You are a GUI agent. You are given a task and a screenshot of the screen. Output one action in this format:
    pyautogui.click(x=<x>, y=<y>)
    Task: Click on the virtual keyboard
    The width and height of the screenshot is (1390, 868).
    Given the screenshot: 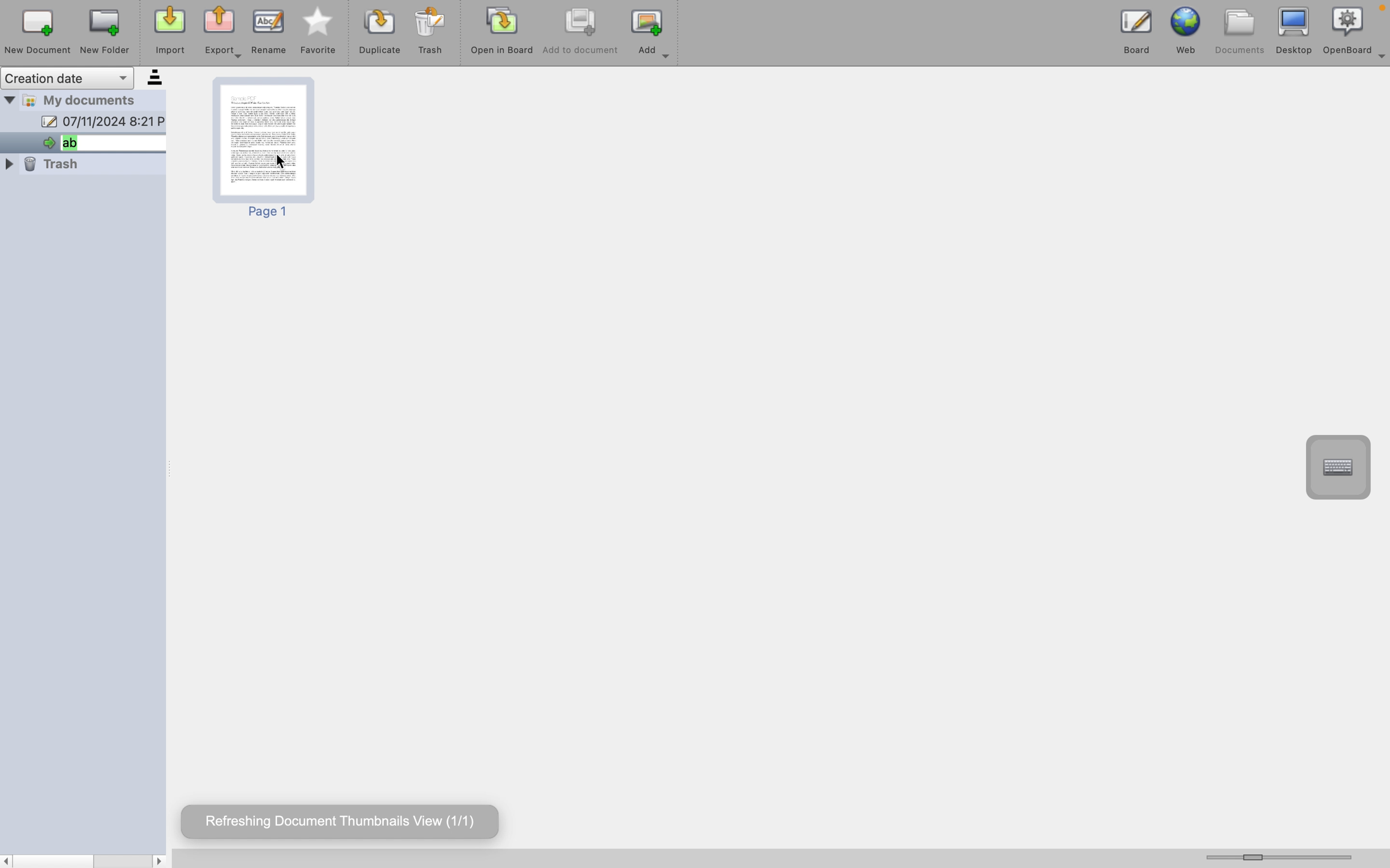 What is the action you would take?
    pyautogui.click(x=1340, y=467)
    